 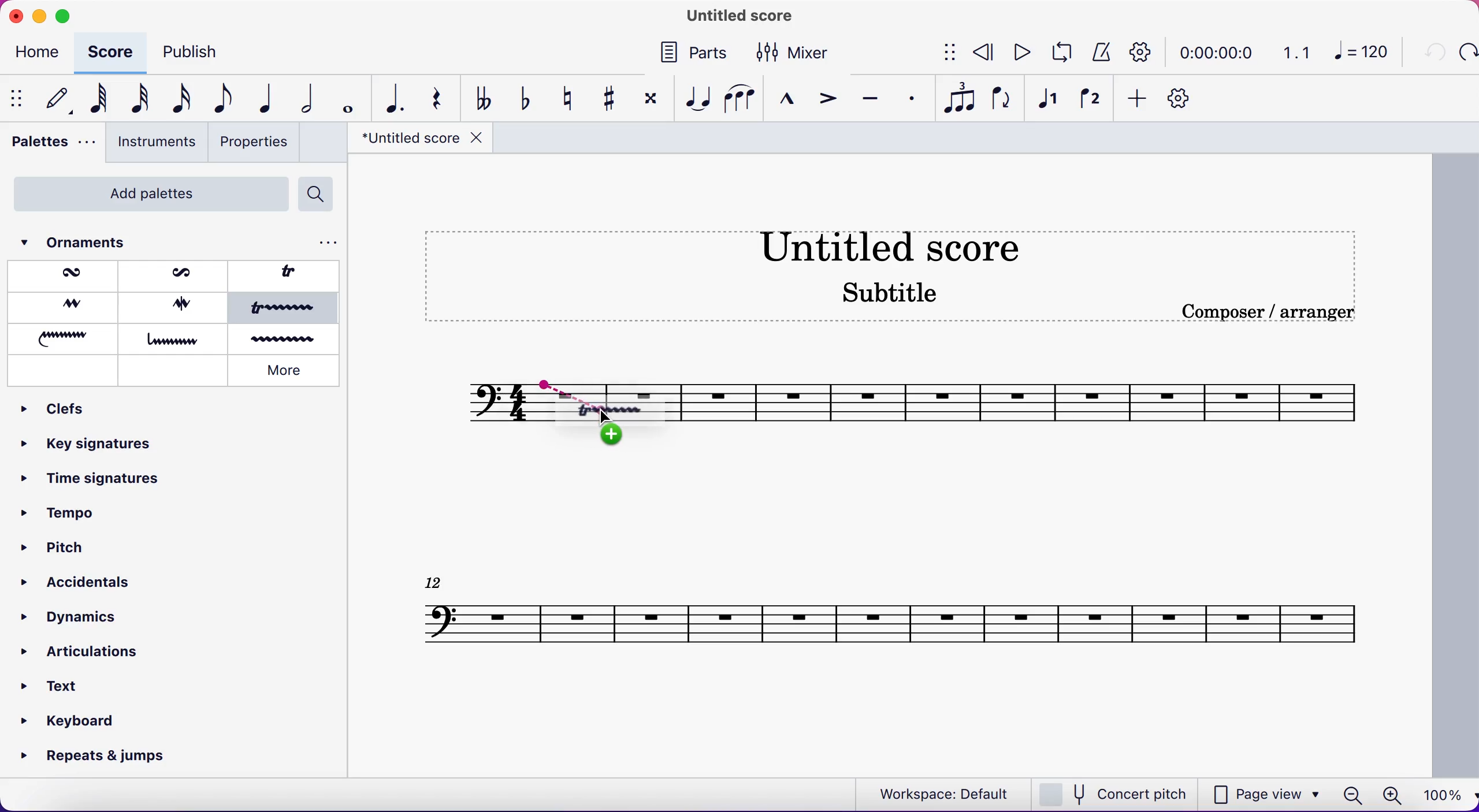 What do you see at coordinates (292, 275) in the screenshot?
I see `trill` at bounding box center [292, 275].